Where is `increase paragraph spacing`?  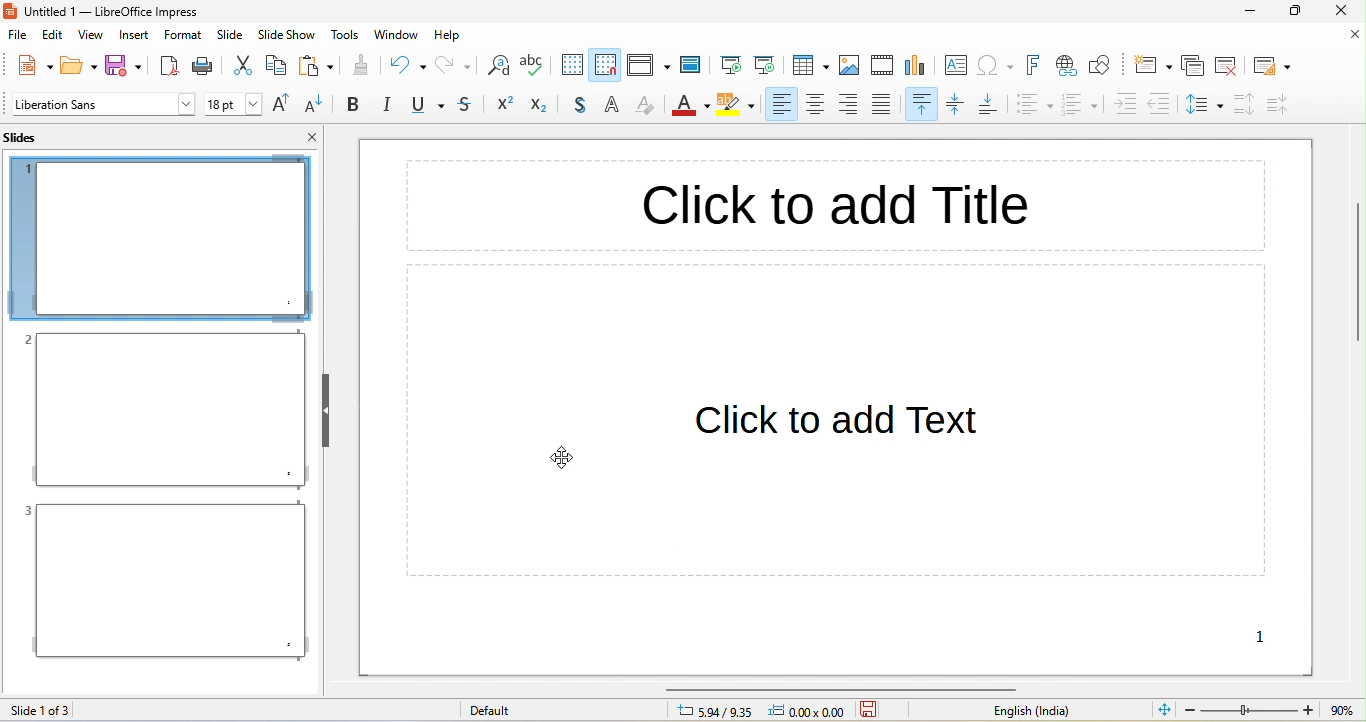 increase paragraph spacing is located at coordinates (1241, 105).